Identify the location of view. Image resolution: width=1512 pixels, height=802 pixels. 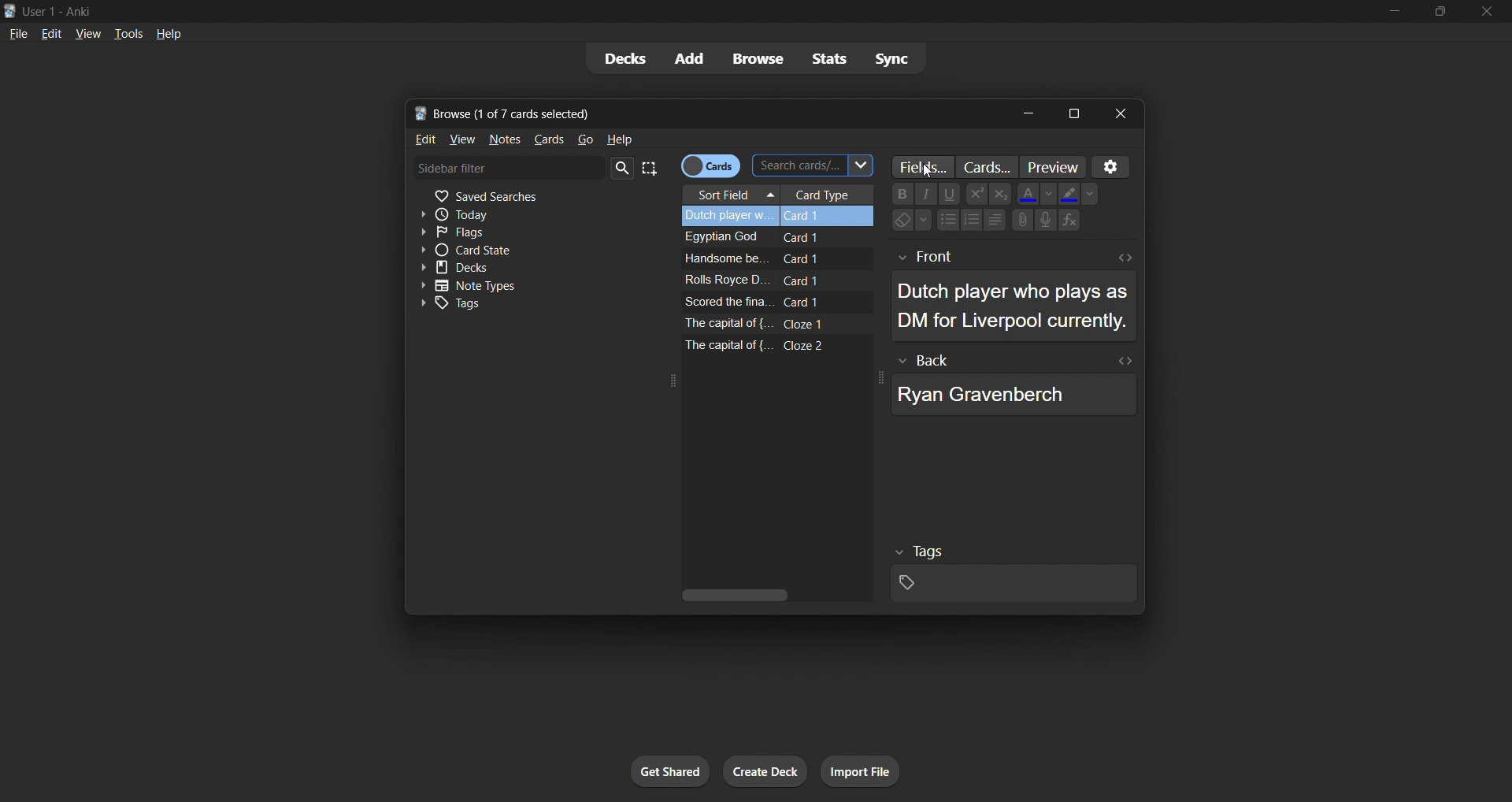
(86, 32).